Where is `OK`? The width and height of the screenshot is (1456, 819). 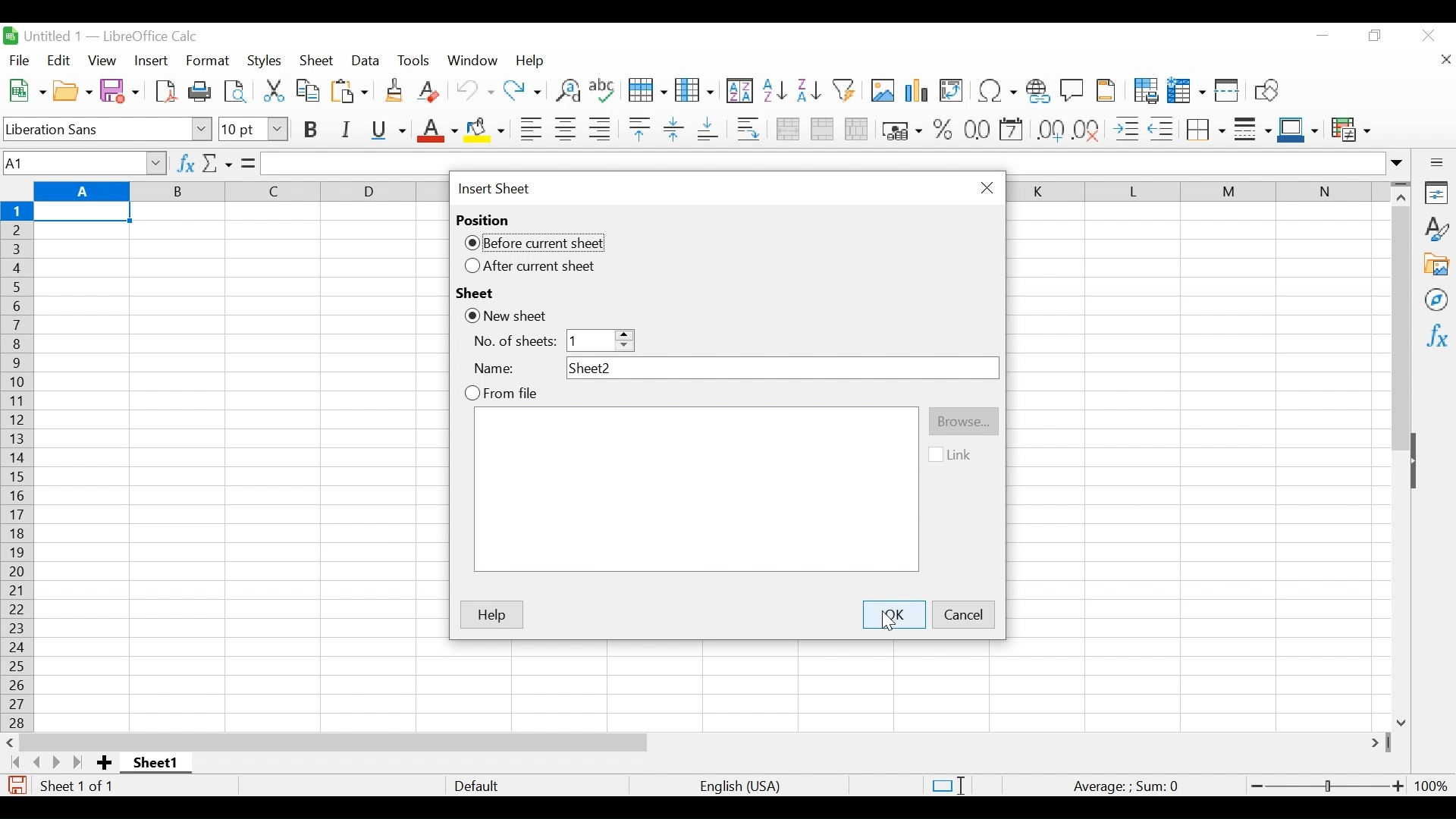 OK is located at coordinates (893, 613).